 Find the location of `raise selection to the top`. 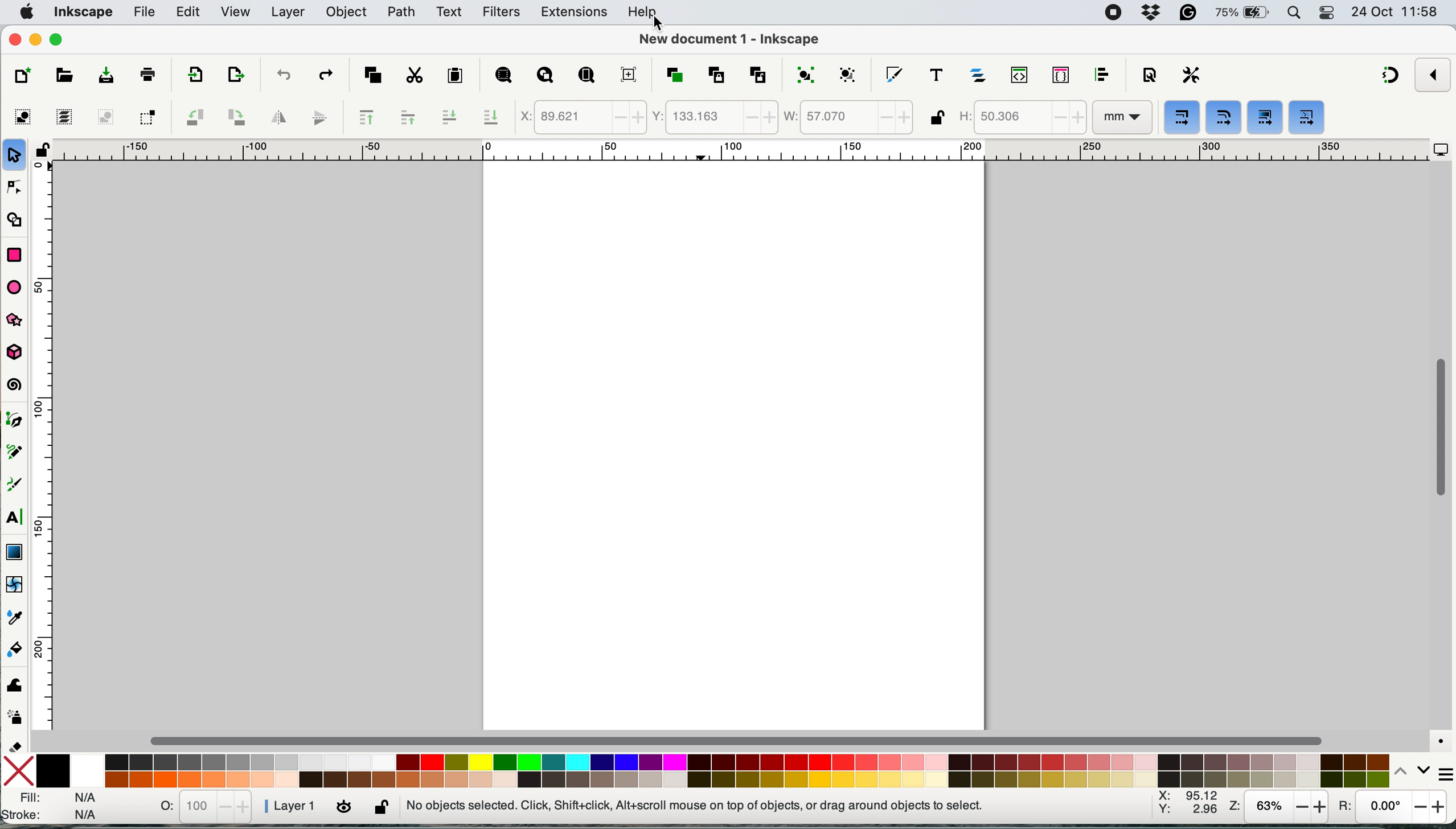

raise selection to the top is located at coordinates (374, 120).